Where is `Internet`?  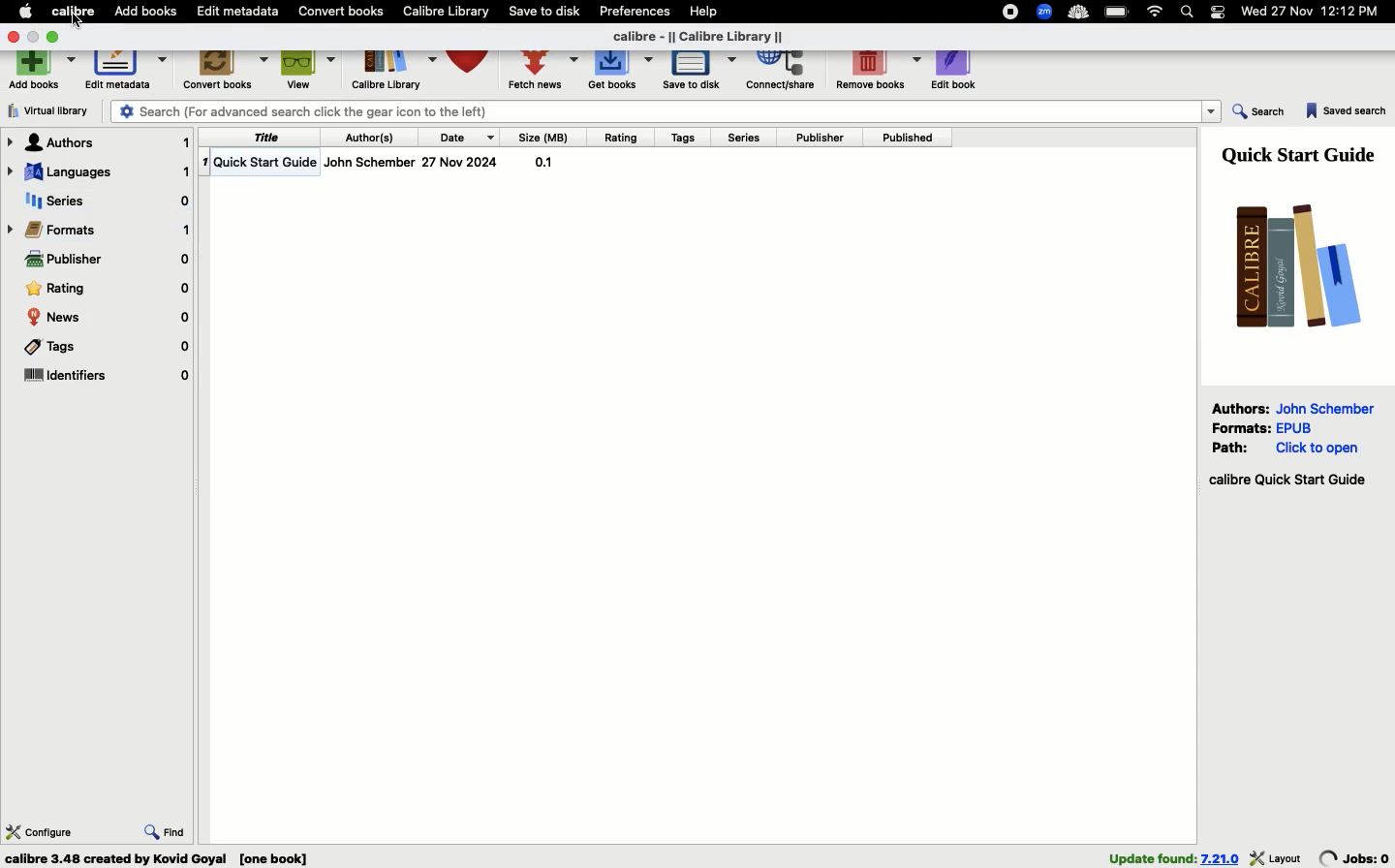 Internet is located at coordinates (1156, 12).